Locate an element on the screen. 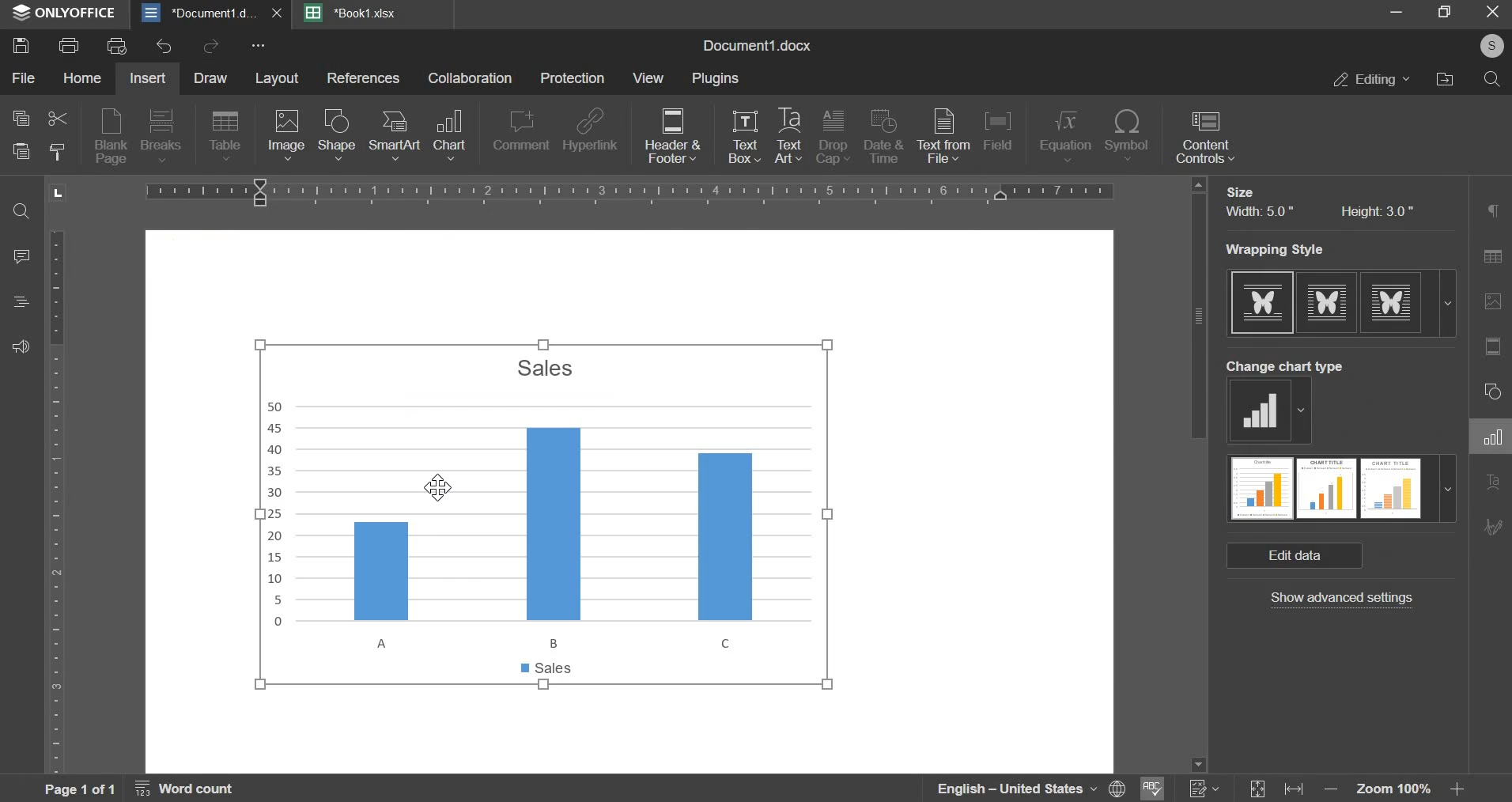 The width and height of the screenshot is (1512, 802). smart art is located at coordinates (394, 138).